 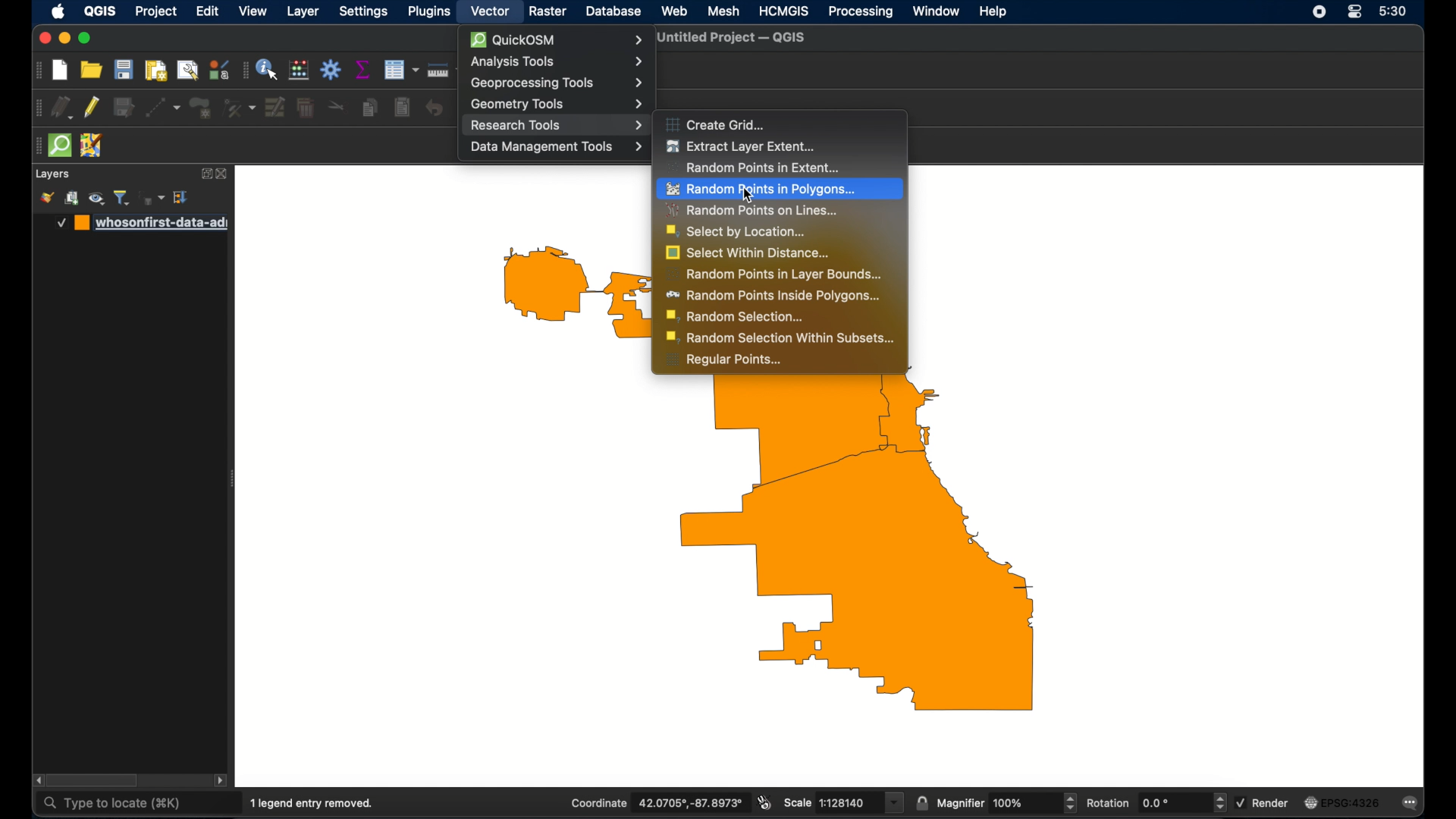 I want to click on print layout, so click(x=155, y=70).